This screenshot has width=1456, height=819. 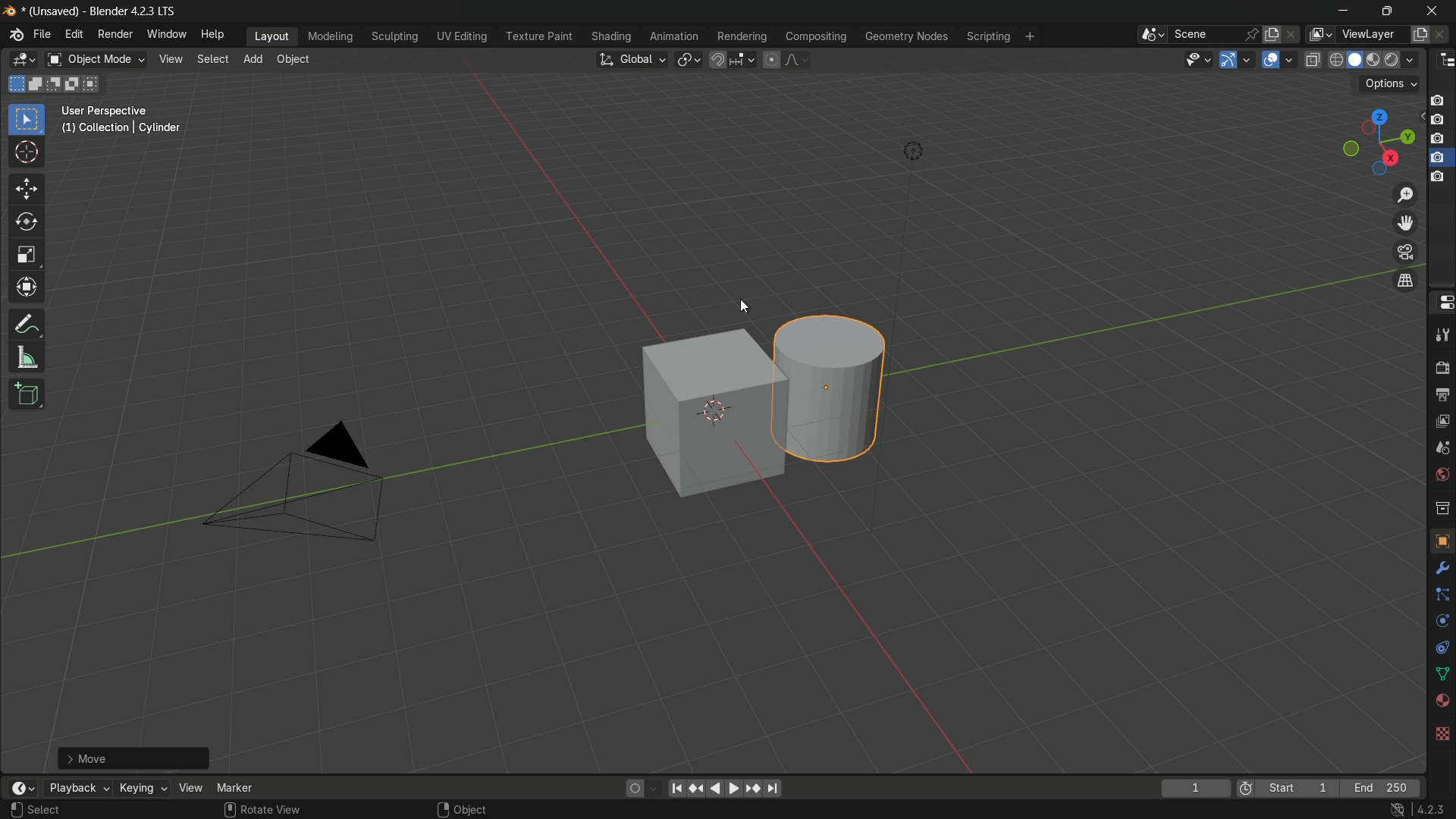 I want to click on overlays, so click(x=1292, y=59).